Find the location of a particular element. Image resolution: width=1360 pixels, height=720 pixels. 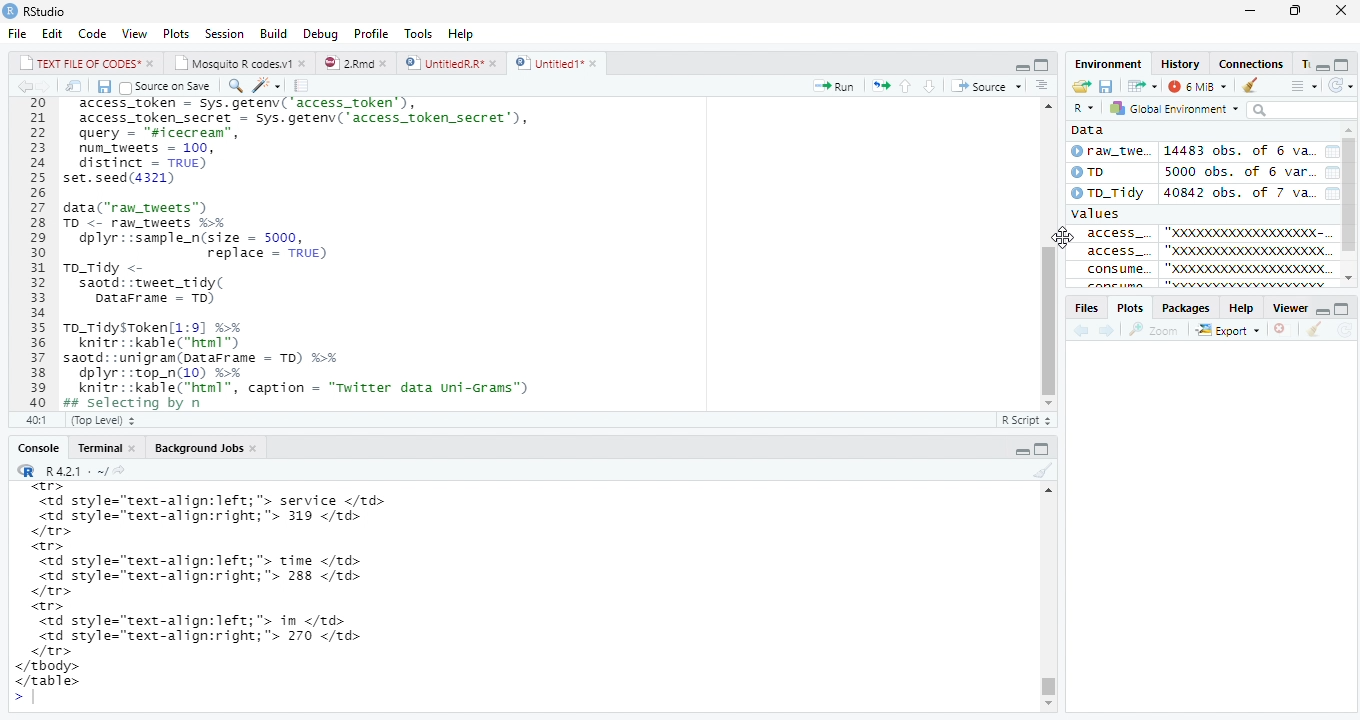

show iin new window is located at coordinates (73, 86).